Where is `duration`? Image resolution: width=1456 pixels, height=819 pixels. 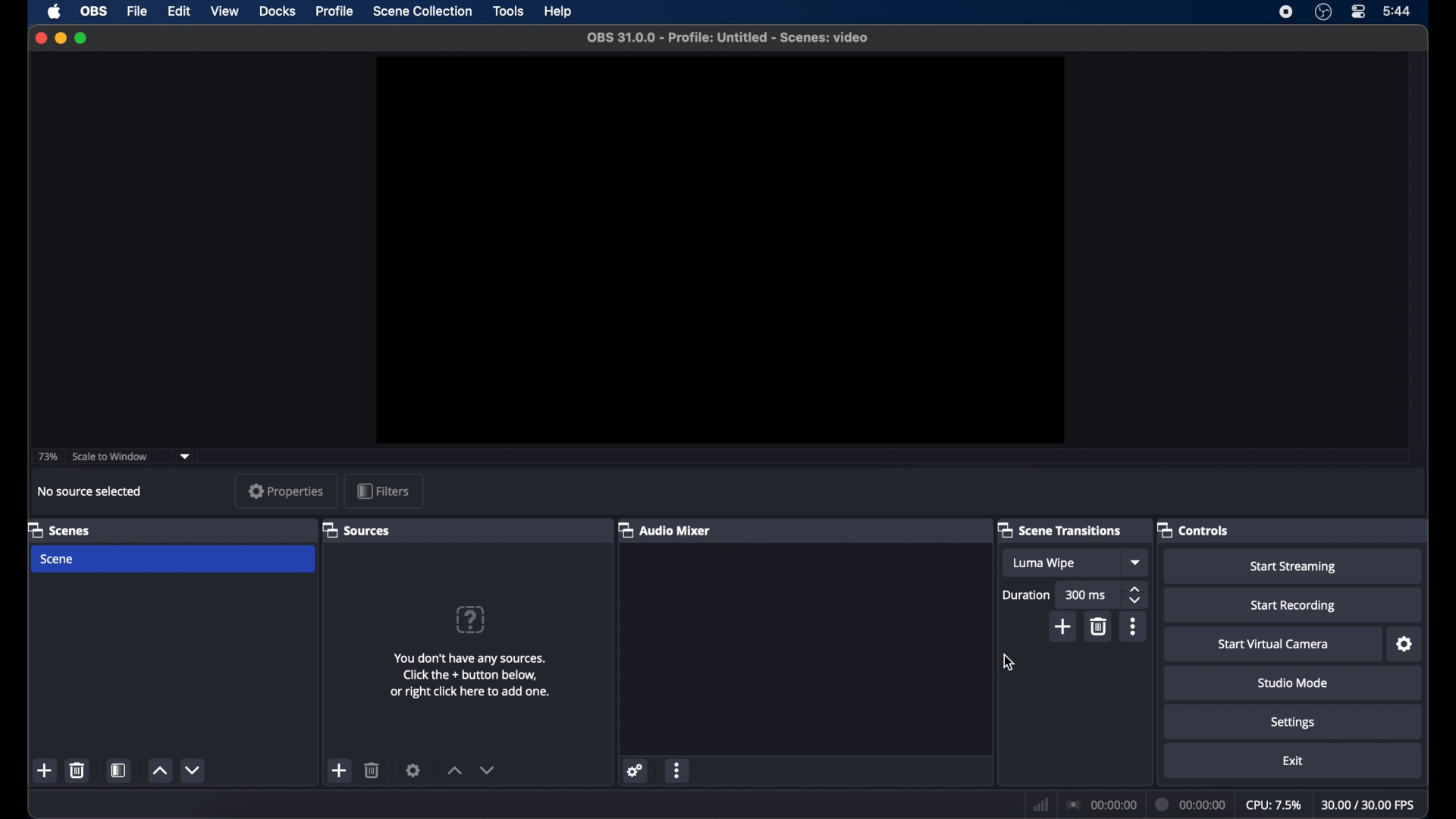
duration is located at coordinates (1028, 594).